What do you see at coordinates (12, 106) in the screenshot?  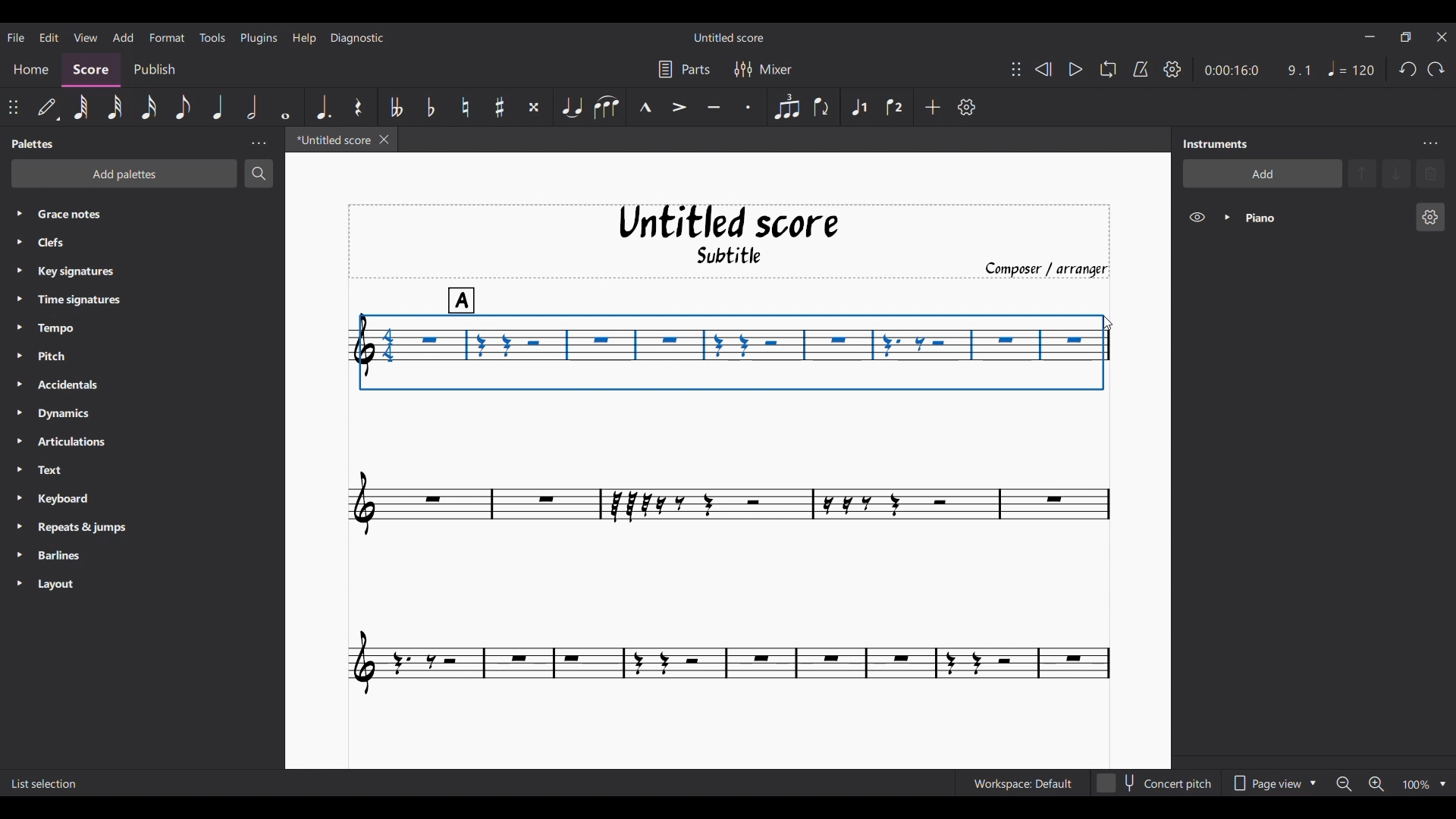 I see `Change position of toolbar attached` at bounding box center [12, 106].